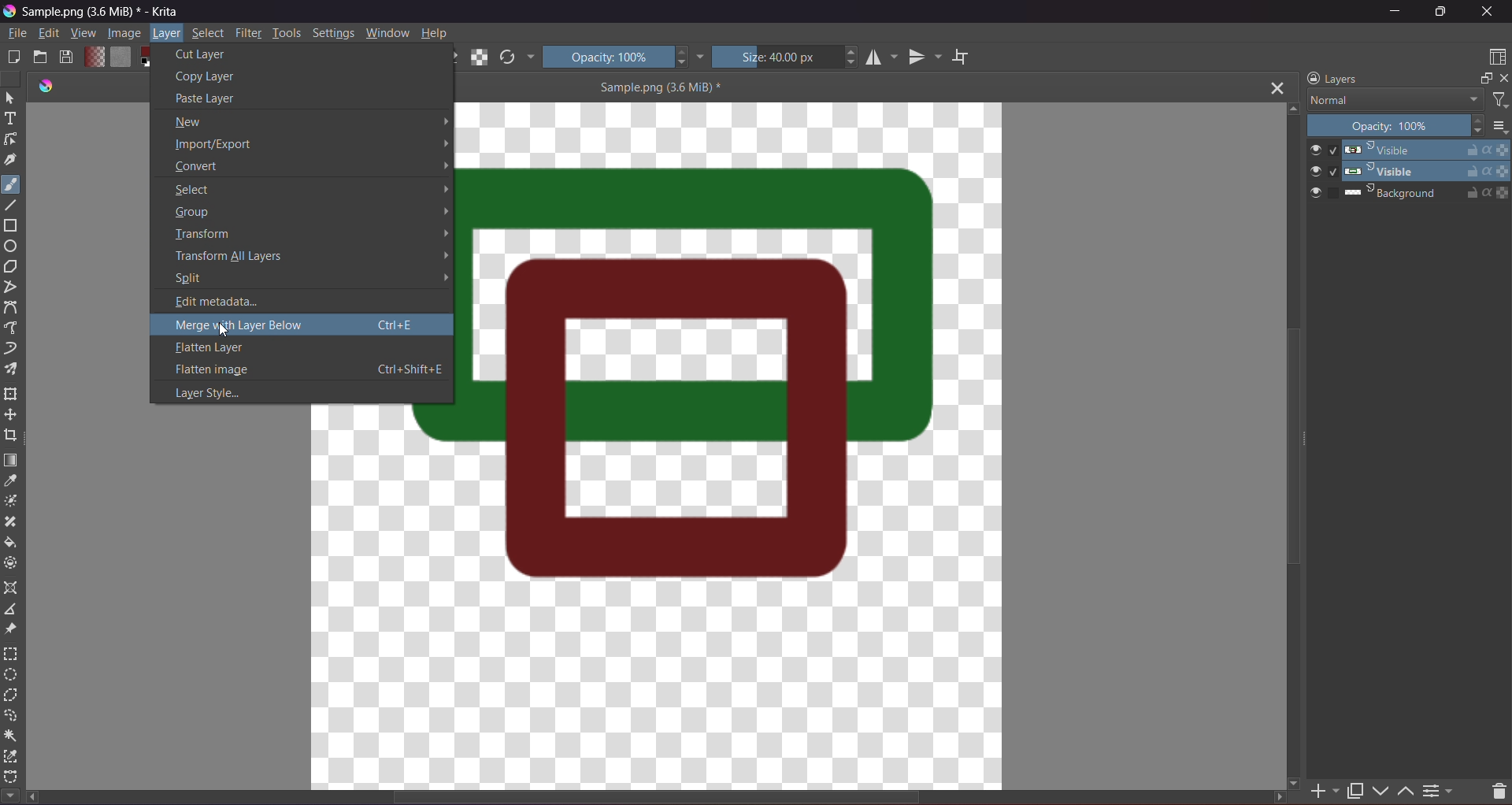 The height and width of the screenshot is (805, 1512). Describe the element at coordinates (1406, 150) in the screenshot. I see `Visible` at that location.